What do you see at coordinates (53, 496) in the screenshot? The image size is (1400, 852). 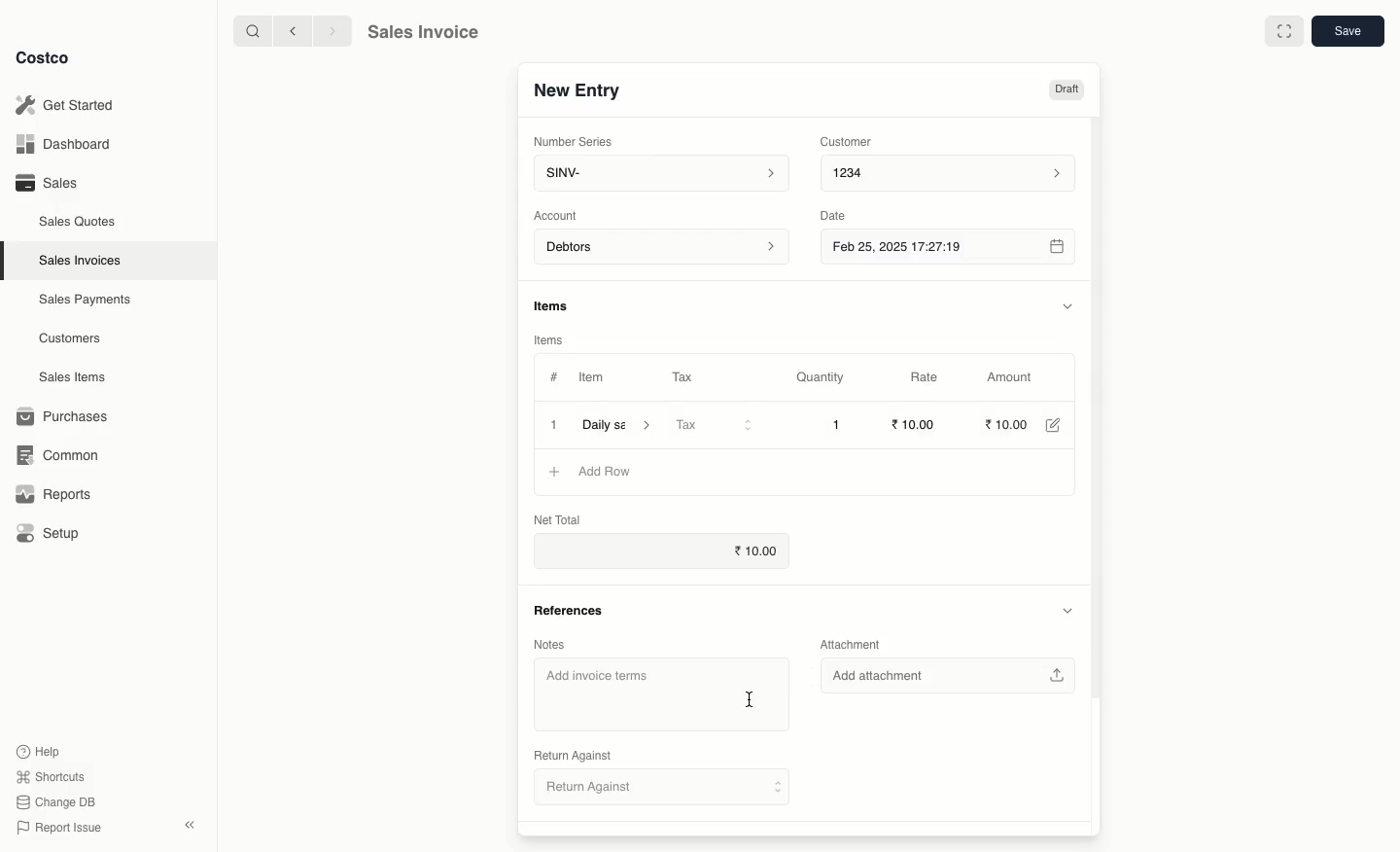 I see `Reports` at bounding box center [53, 496].